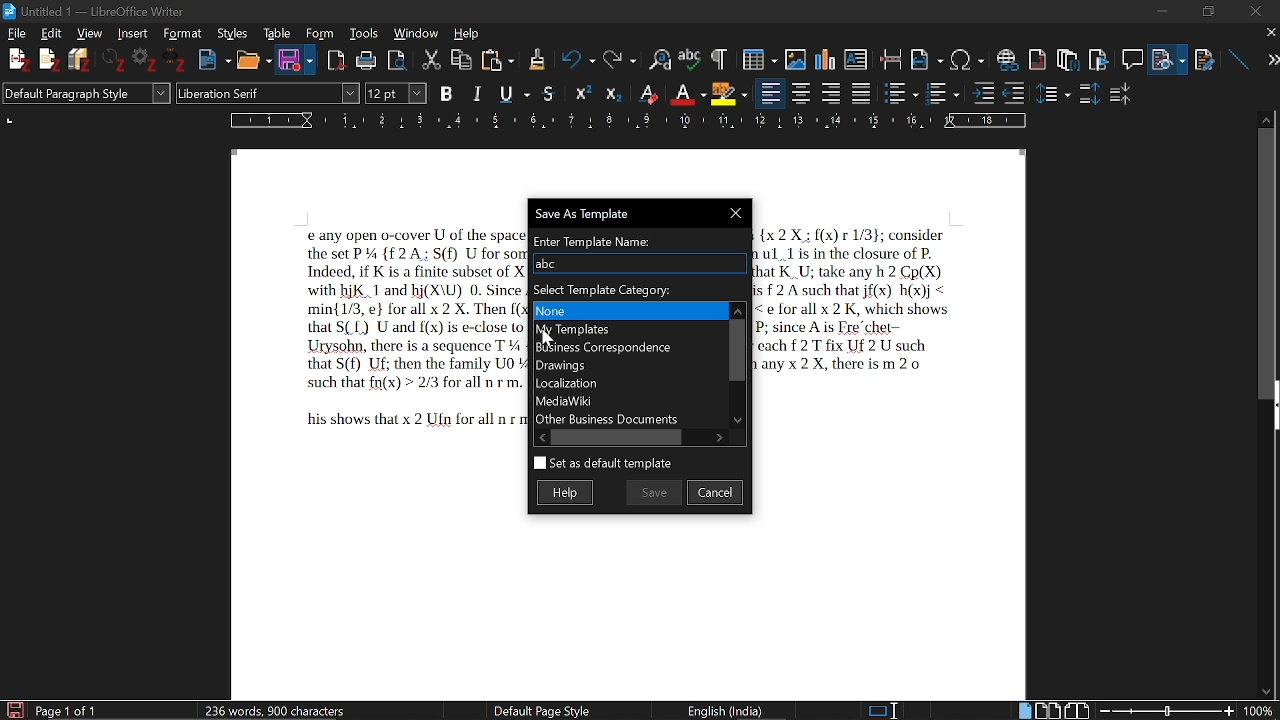 The image size is (1280, 720). Describe the element at coordinates (416, 34) in the screenshot. I see `Window` at that location.